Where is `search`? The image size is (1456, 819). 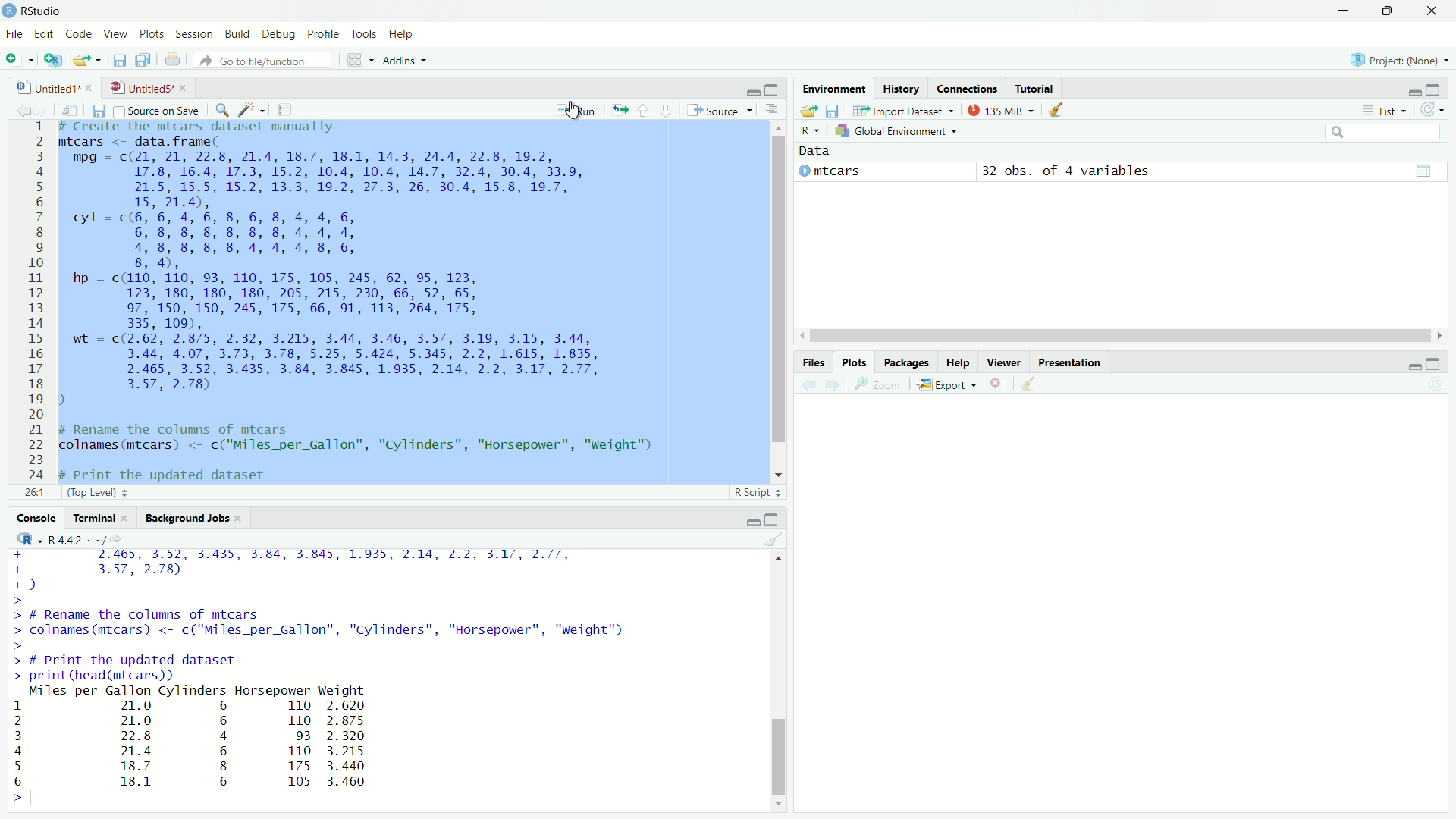 search is located at coordinates (1381, 133).